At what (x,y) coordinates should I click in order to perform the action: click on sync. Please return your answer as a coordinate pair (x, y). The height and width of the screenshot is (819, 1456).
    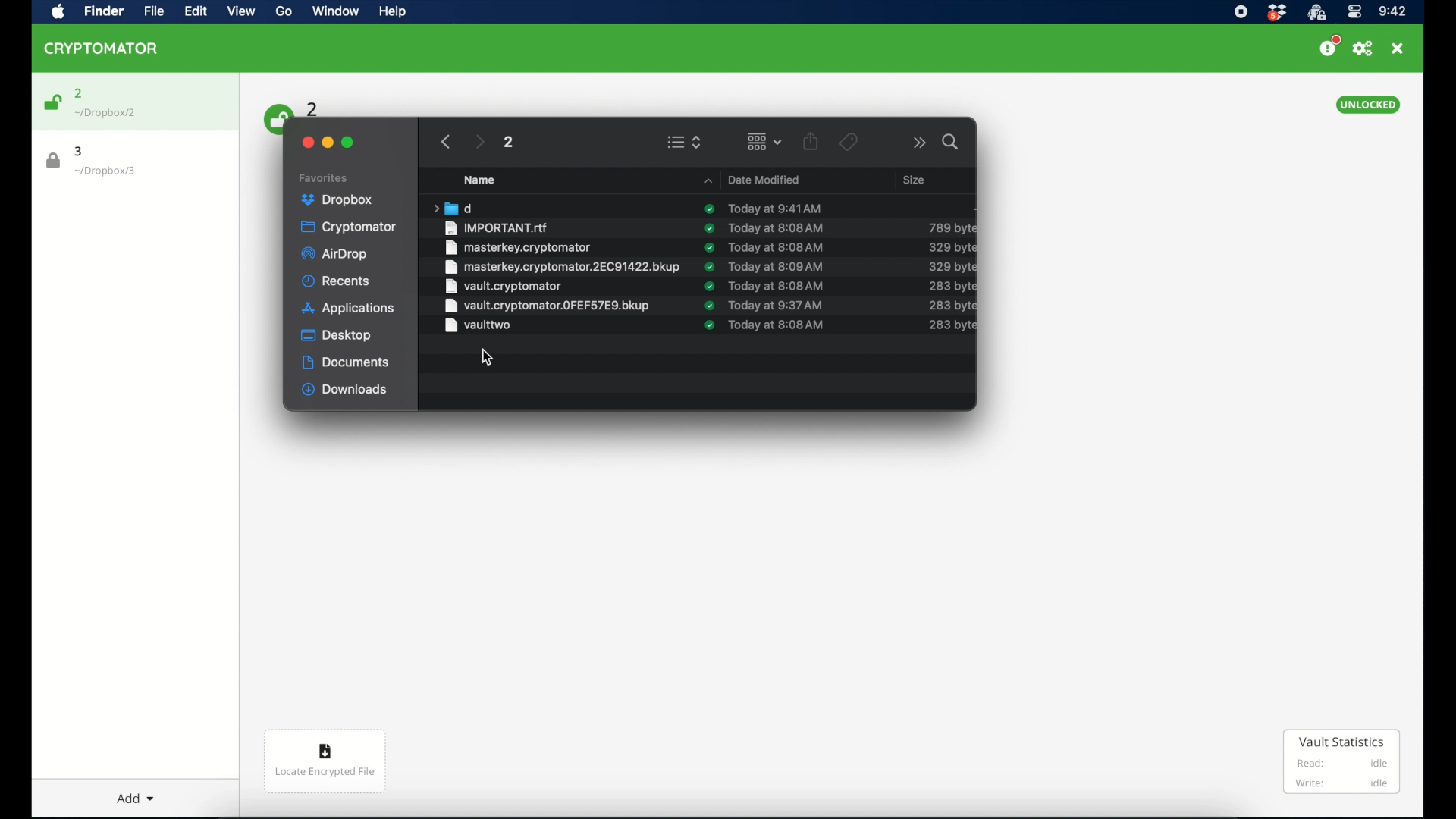
    Looking at the image, I should click on (709, 209).